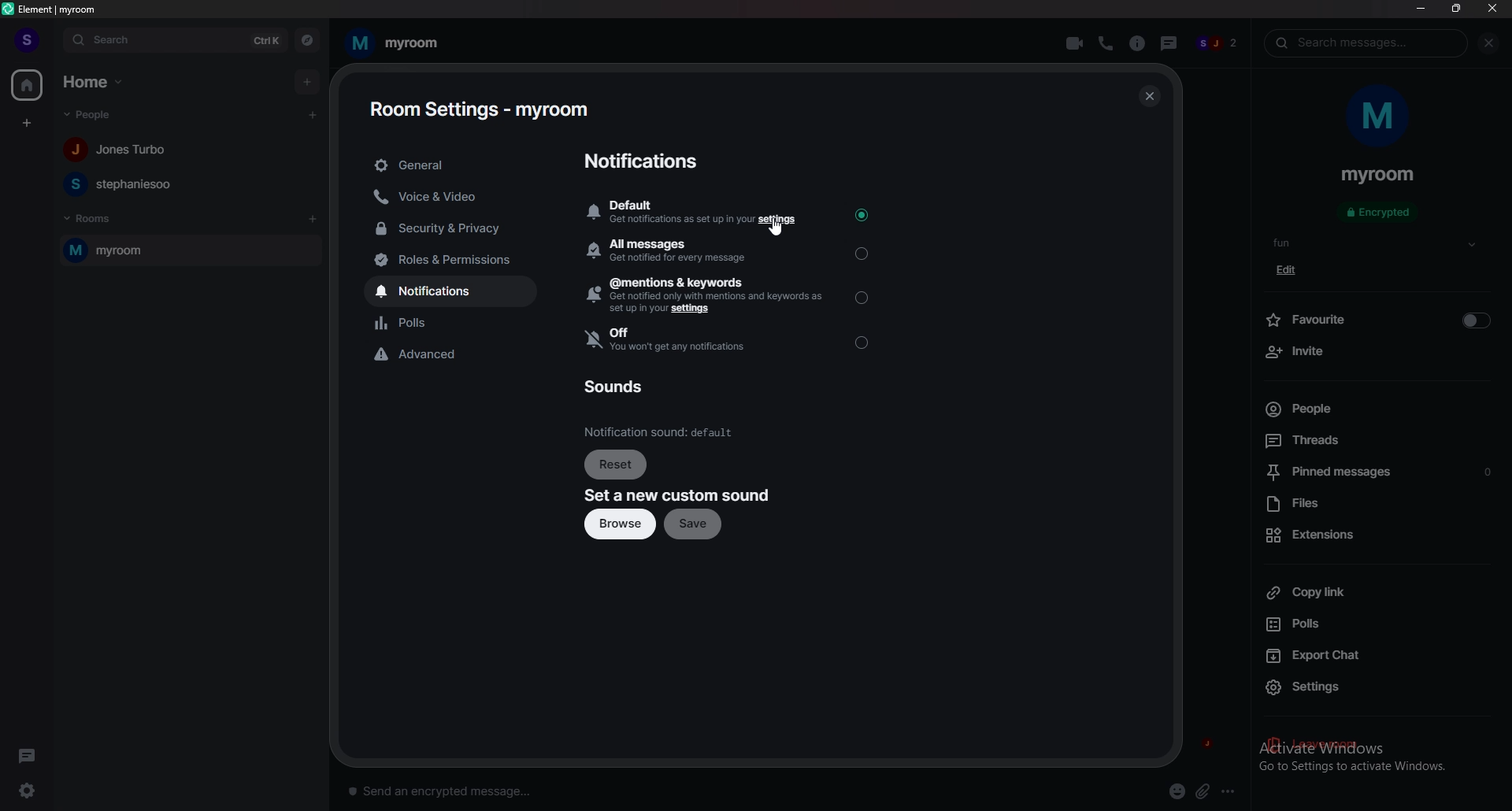 The width and height of the screenshot is (1512, 811). Describe the element at coordinates (618, 525) in the screenshot. I see `browse` at that location.